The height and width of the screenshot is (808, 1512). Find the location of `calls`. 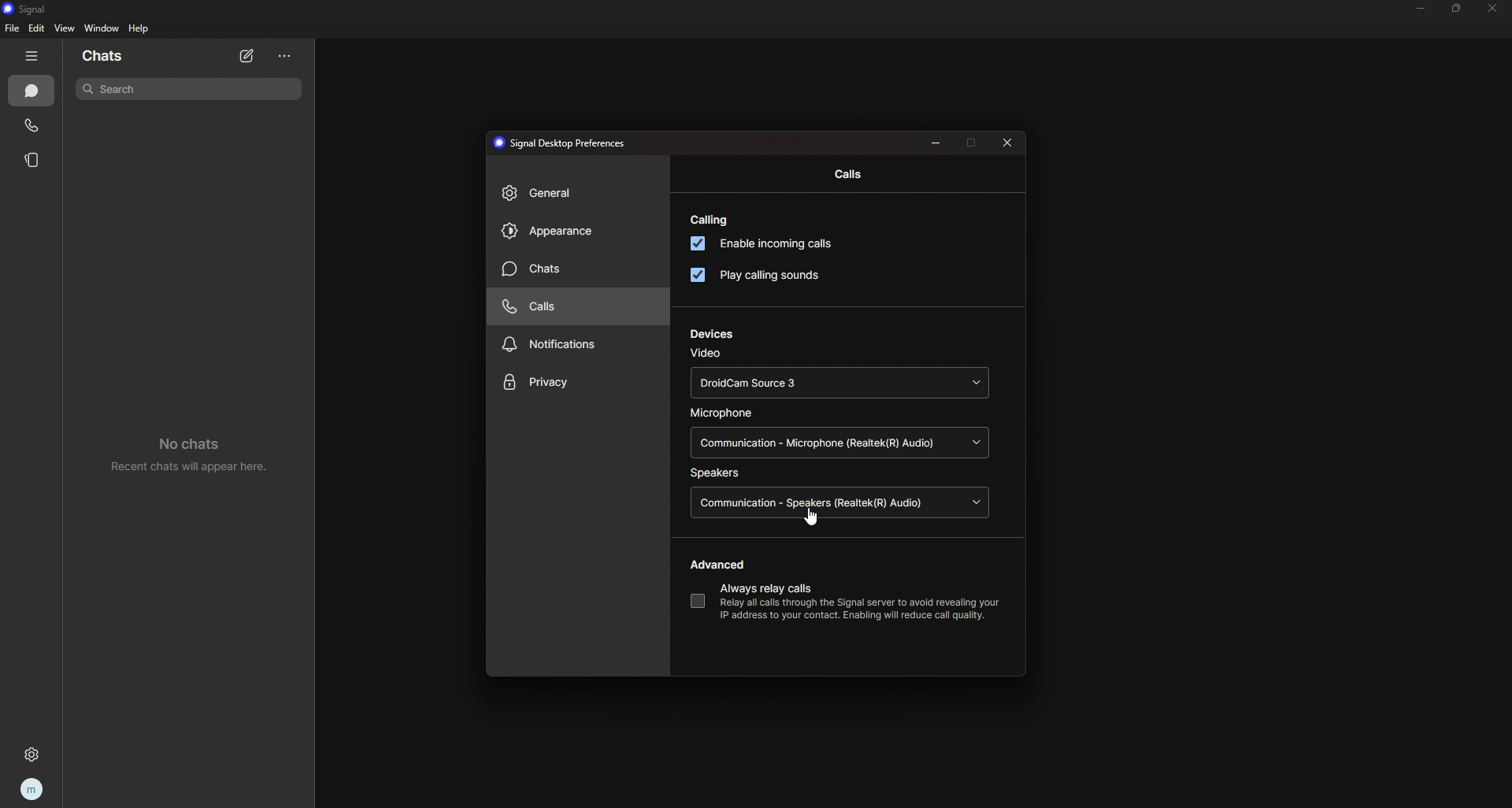

calls is located at coordinates (573, 307).